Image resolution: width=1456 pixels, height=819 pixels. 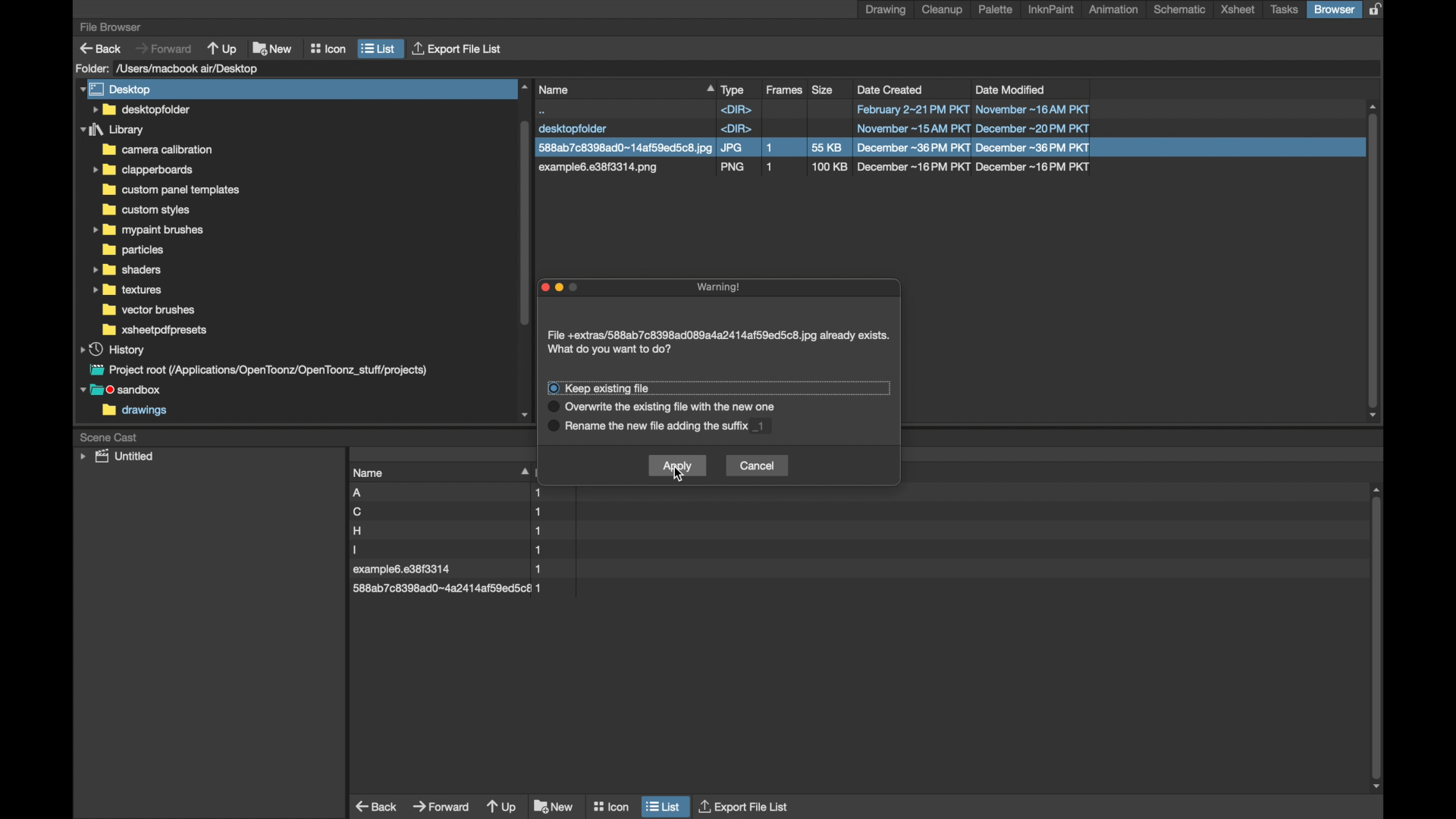 I want to click on cancel, so click(x=757, y=466).